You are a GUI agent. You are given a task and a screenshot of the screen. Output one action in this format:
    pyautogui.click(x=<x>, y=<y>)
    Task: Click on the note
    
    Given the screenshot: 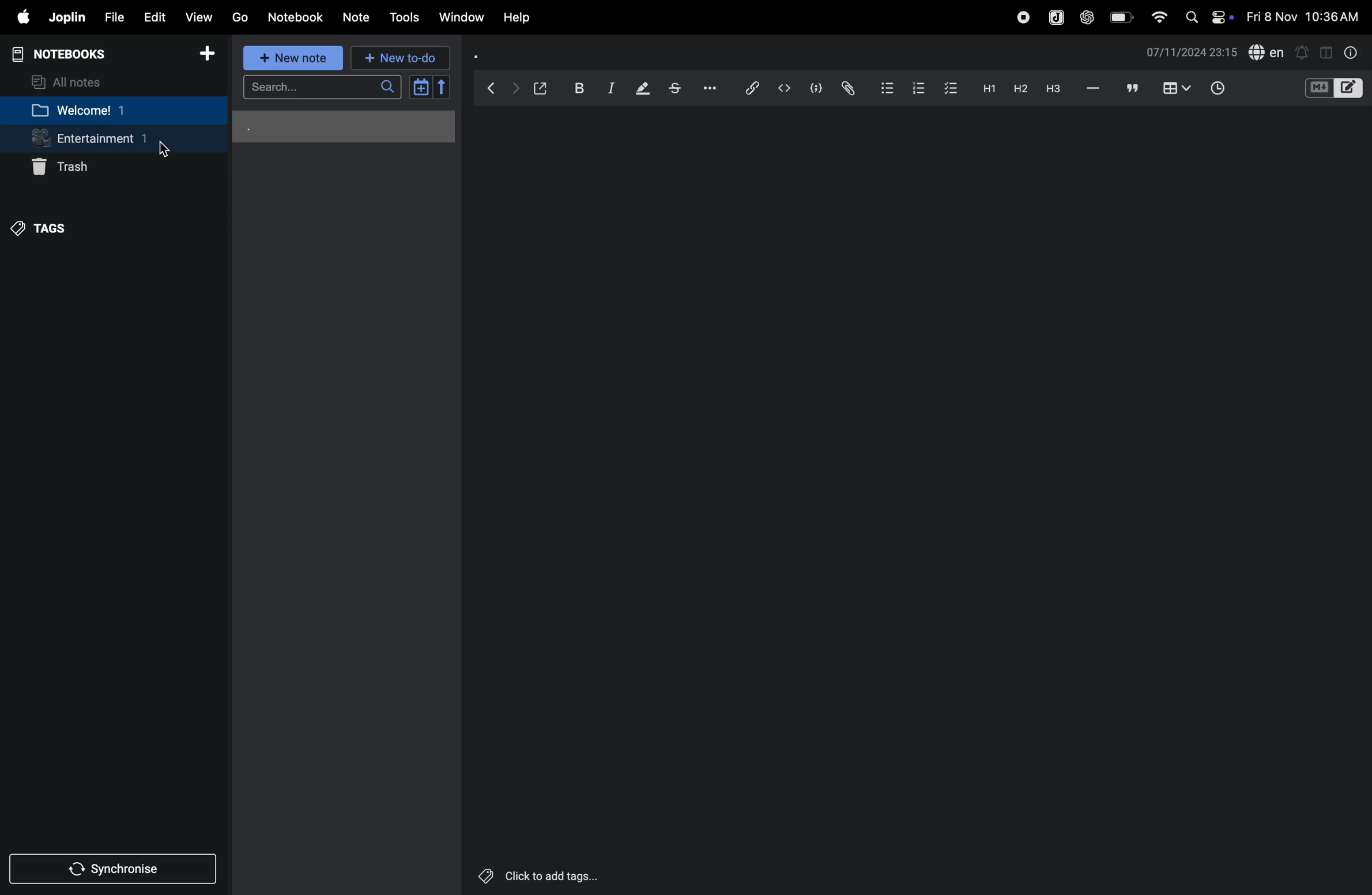 What is the action you would take?
    pyautogui.click(x=357, y=20)
    